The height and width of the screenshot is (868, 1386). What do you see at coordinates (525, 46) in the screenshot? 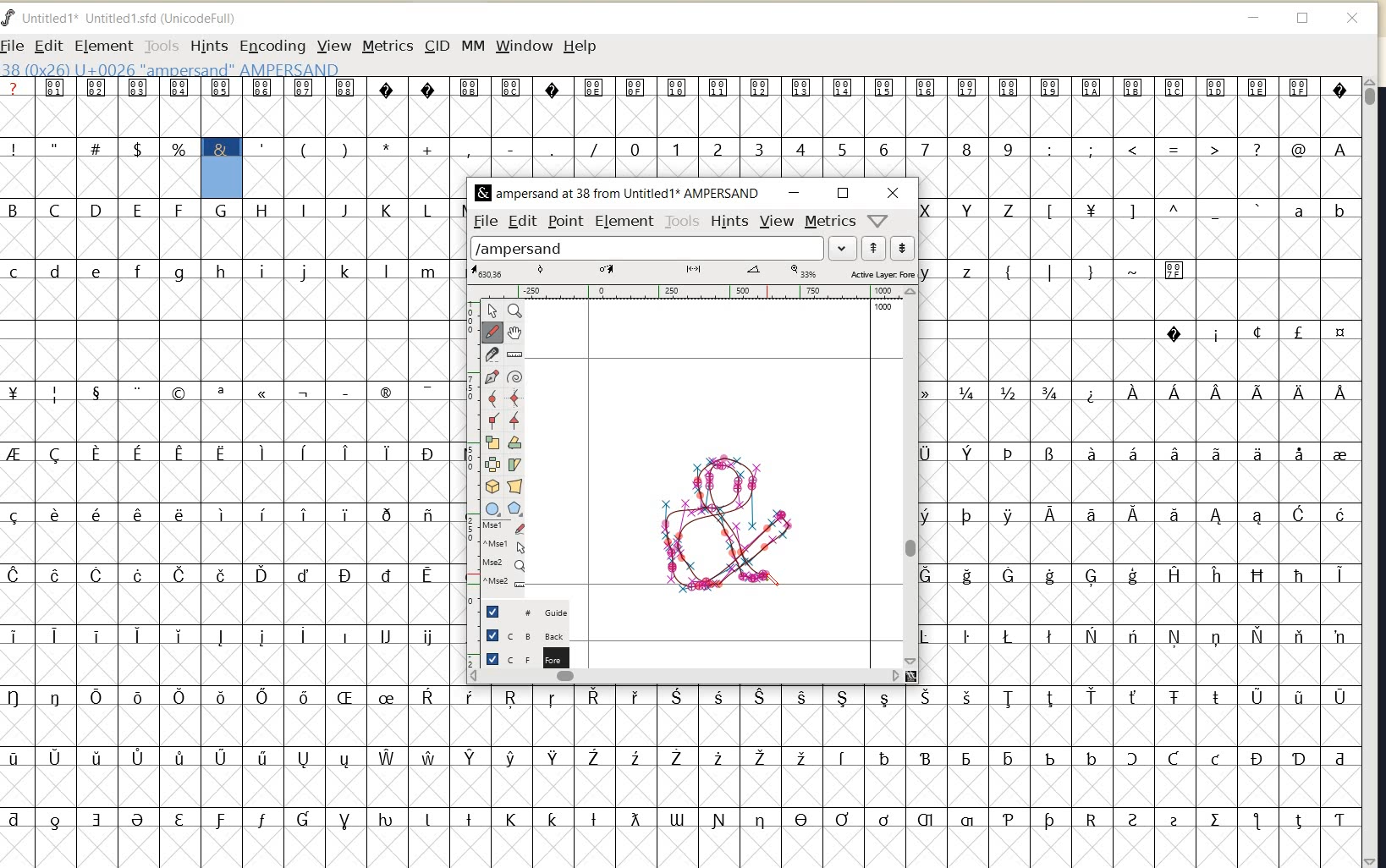
I see `WINDOW` at bounding box center [525, 46].